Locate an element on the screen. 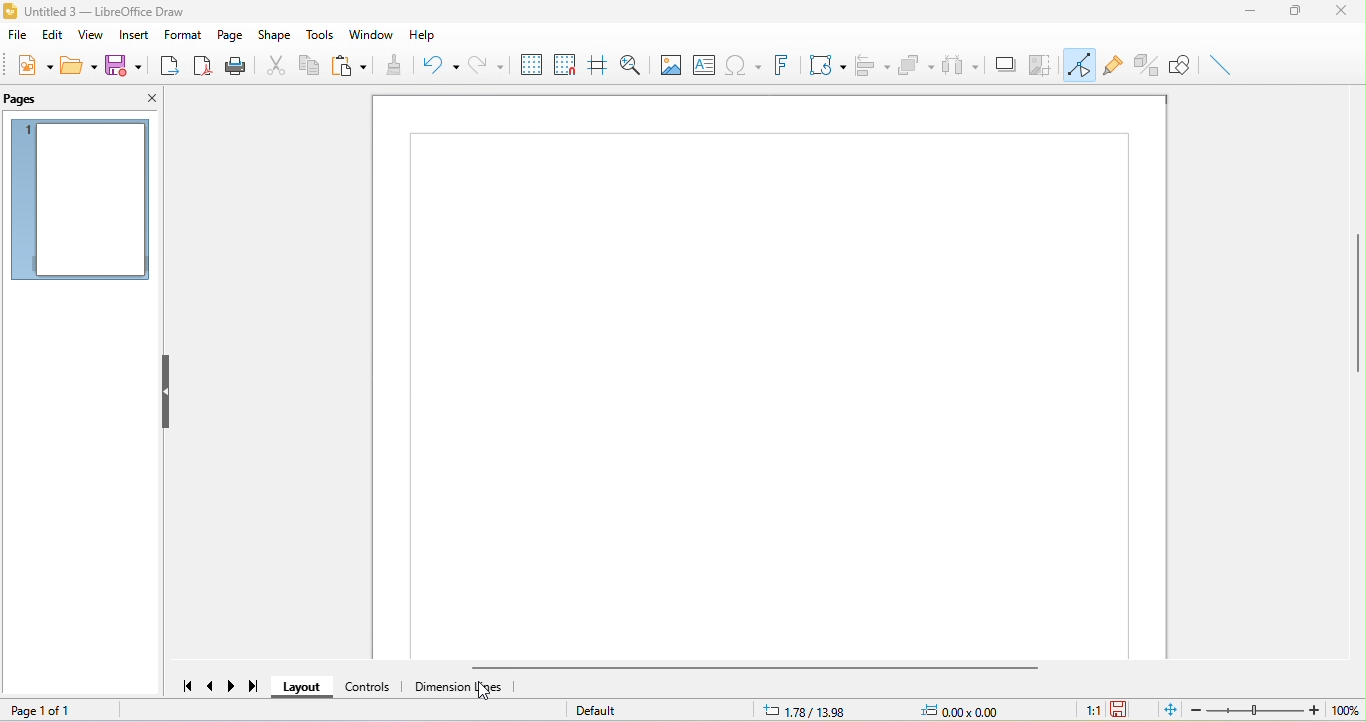  next page is located at coordinates (235, 685).